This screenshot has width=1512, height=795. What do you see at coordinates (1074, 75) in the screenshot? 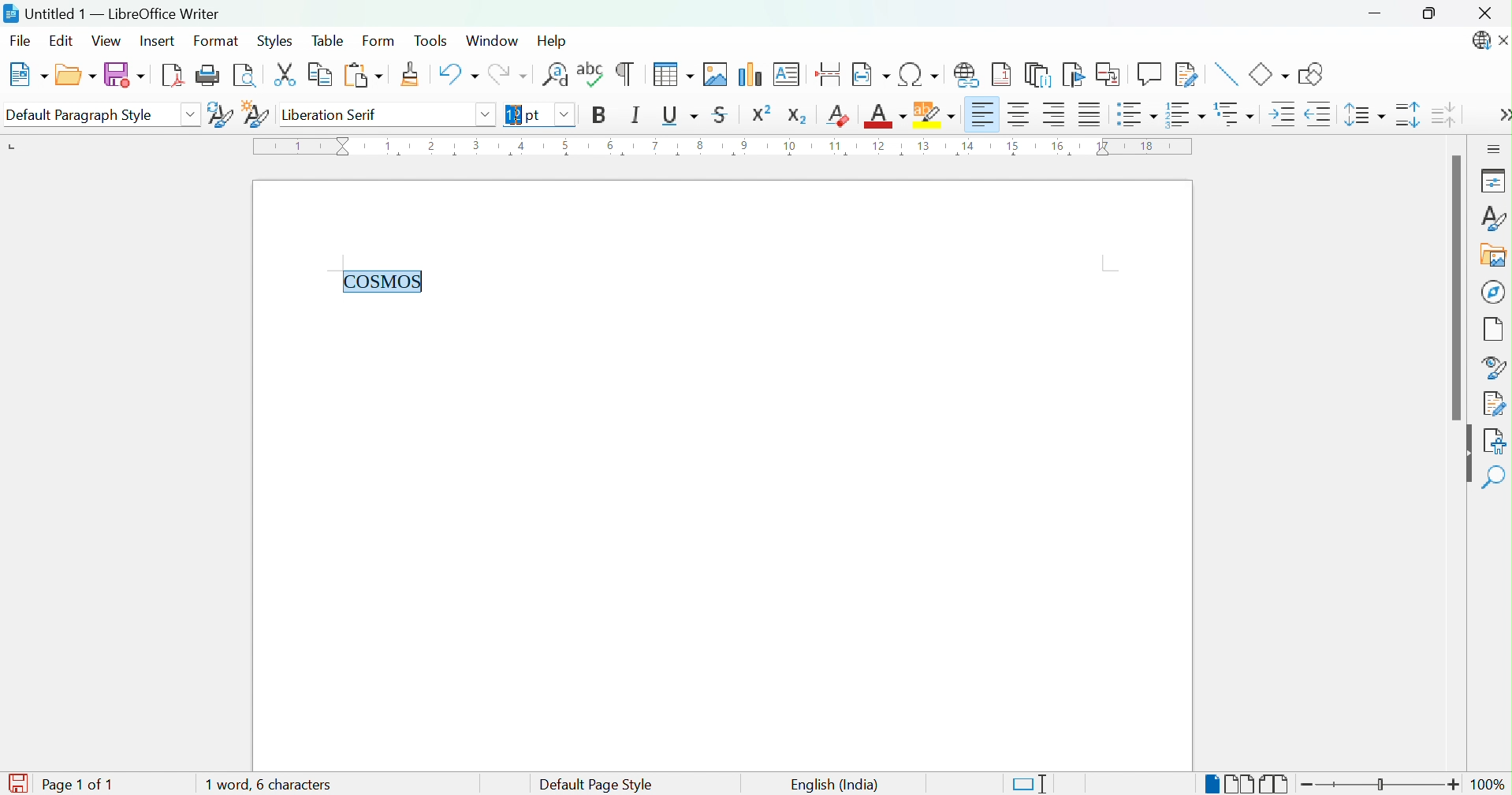
I see `Insert Bookmark` at bounding box center [1074, 75].